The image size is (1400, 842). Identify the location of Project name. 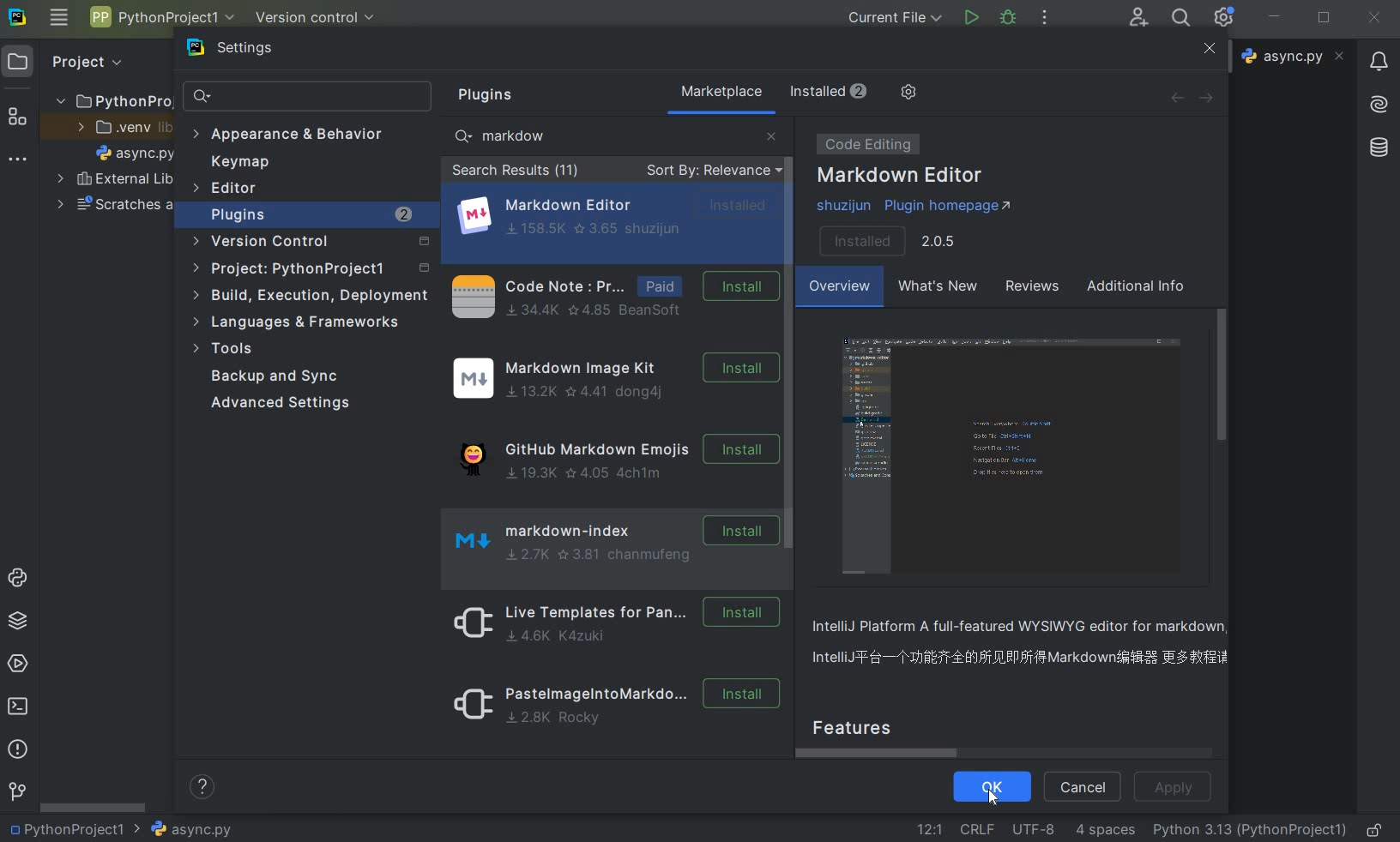
(75, 828).